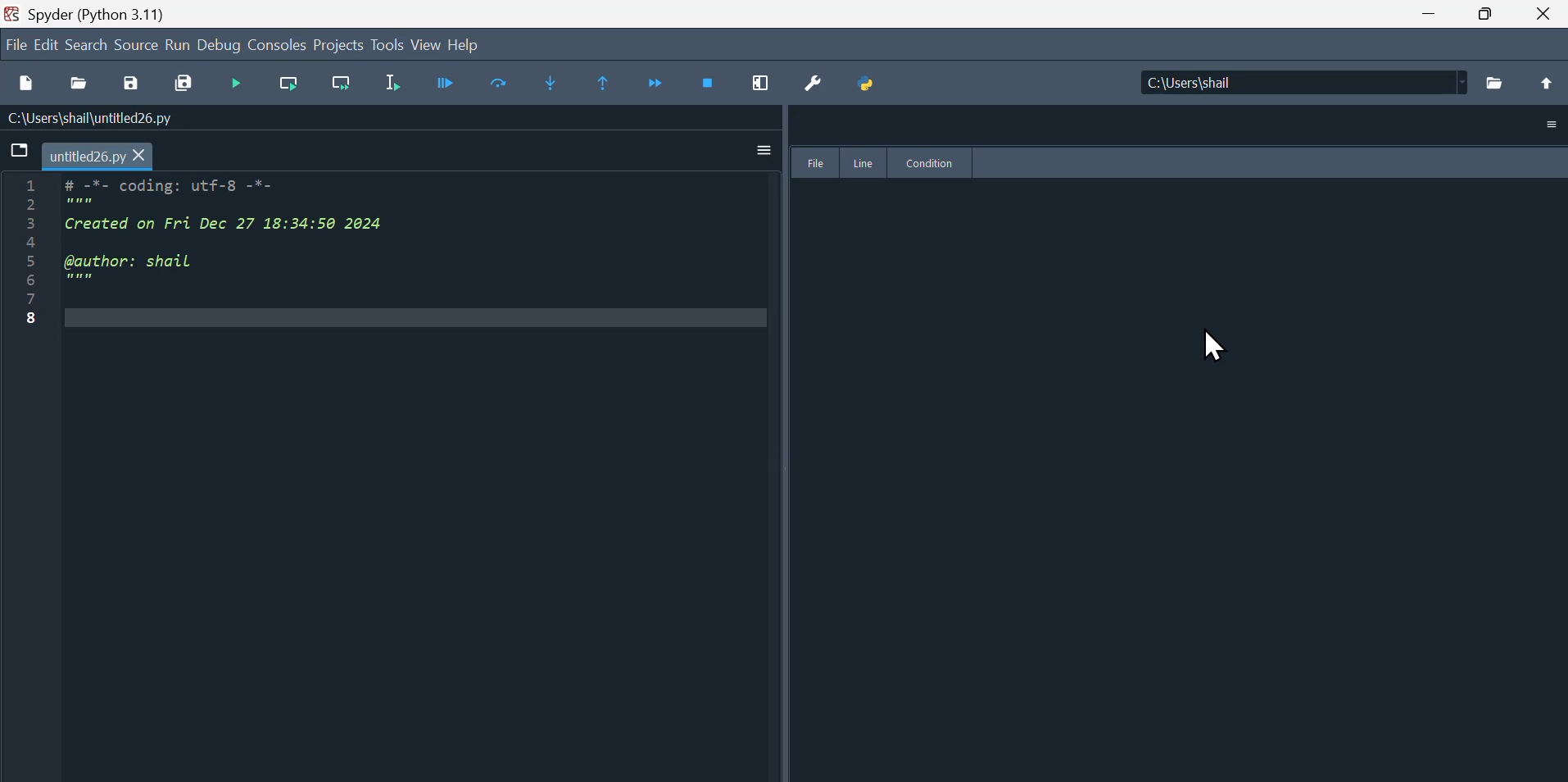 This screenshot has width=1568, height=782. What do you see at coordinates (717, 84) in the screenshot?
I see `Stop debugging` at bounding box center [717, 84].